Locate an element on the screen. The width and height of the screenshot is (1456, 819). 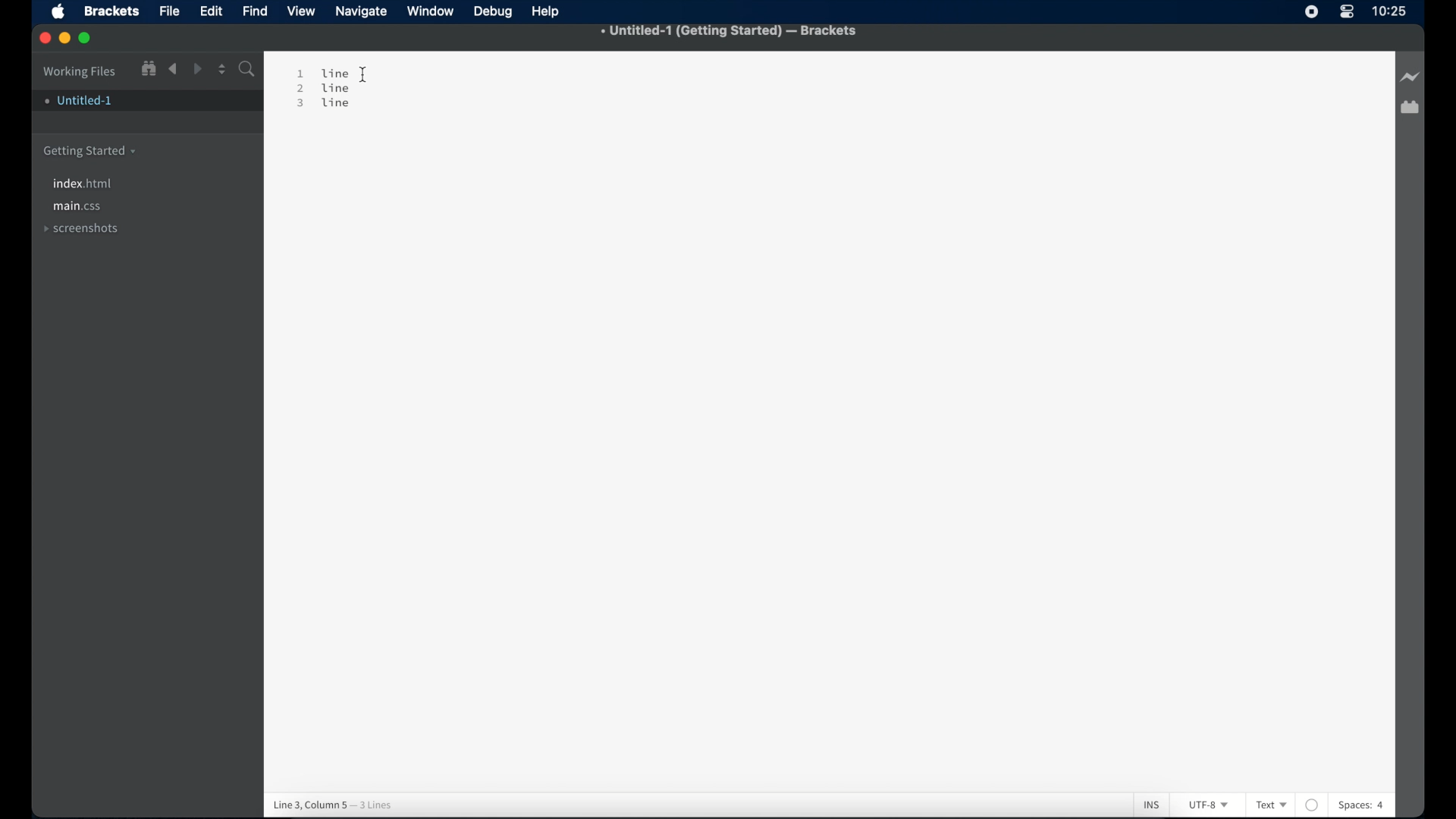
navigate forward is located at coordinates (199, 70).